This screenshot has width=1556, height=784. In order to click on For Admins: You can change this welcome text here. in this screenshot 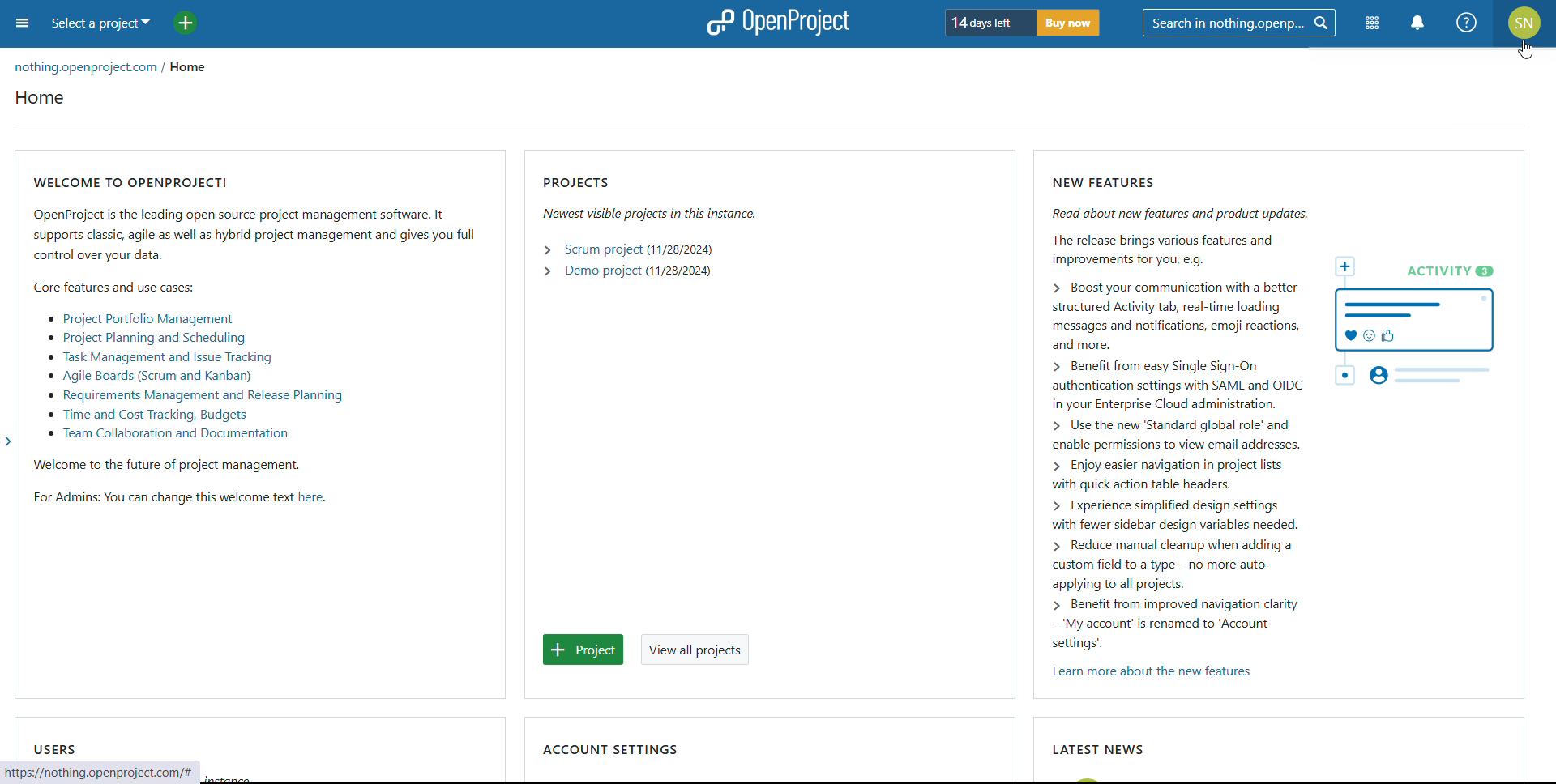, I will do `click(175, 500)`.